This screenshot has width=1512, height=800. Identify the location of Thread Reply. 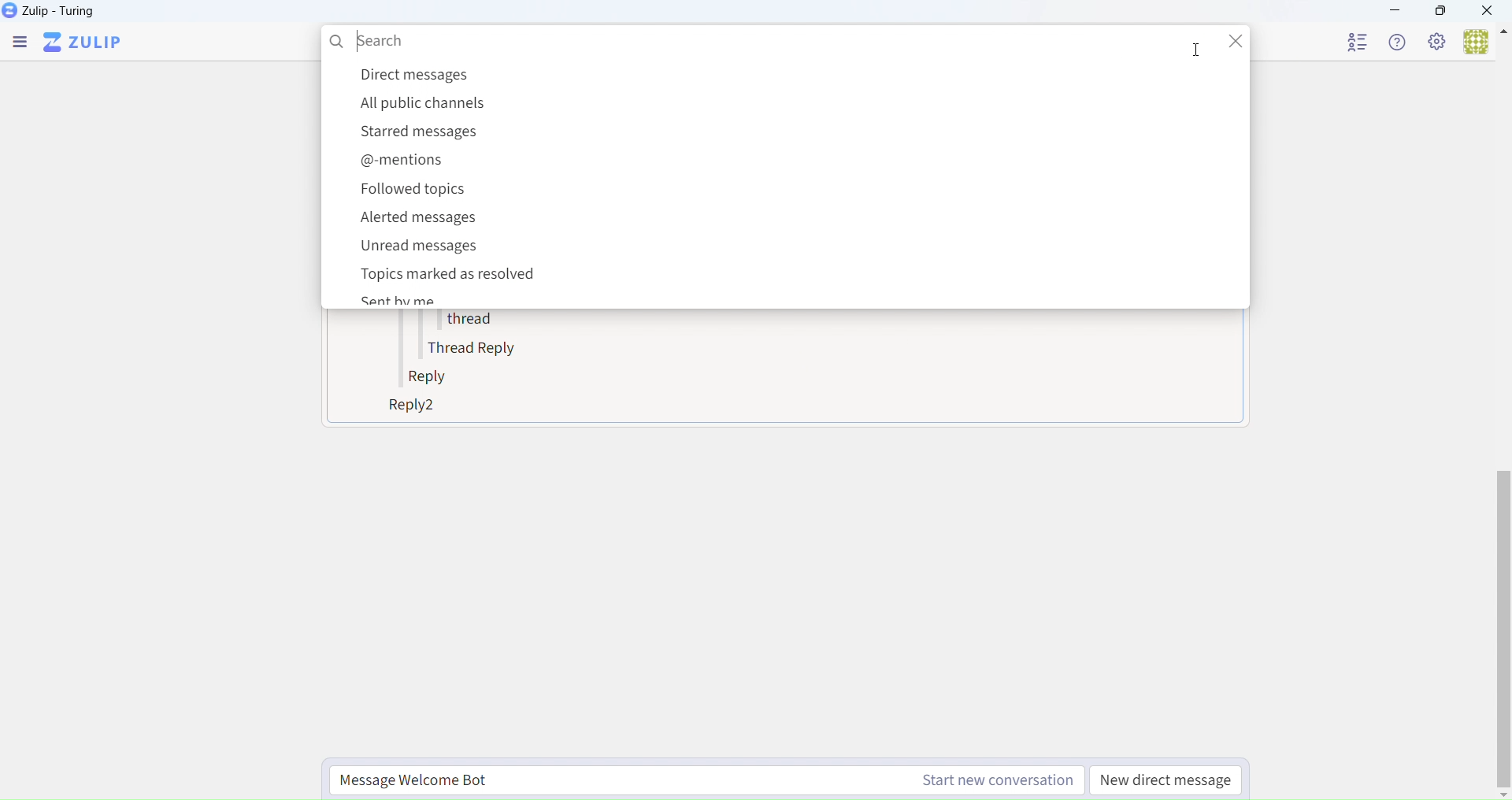
(477, 349).